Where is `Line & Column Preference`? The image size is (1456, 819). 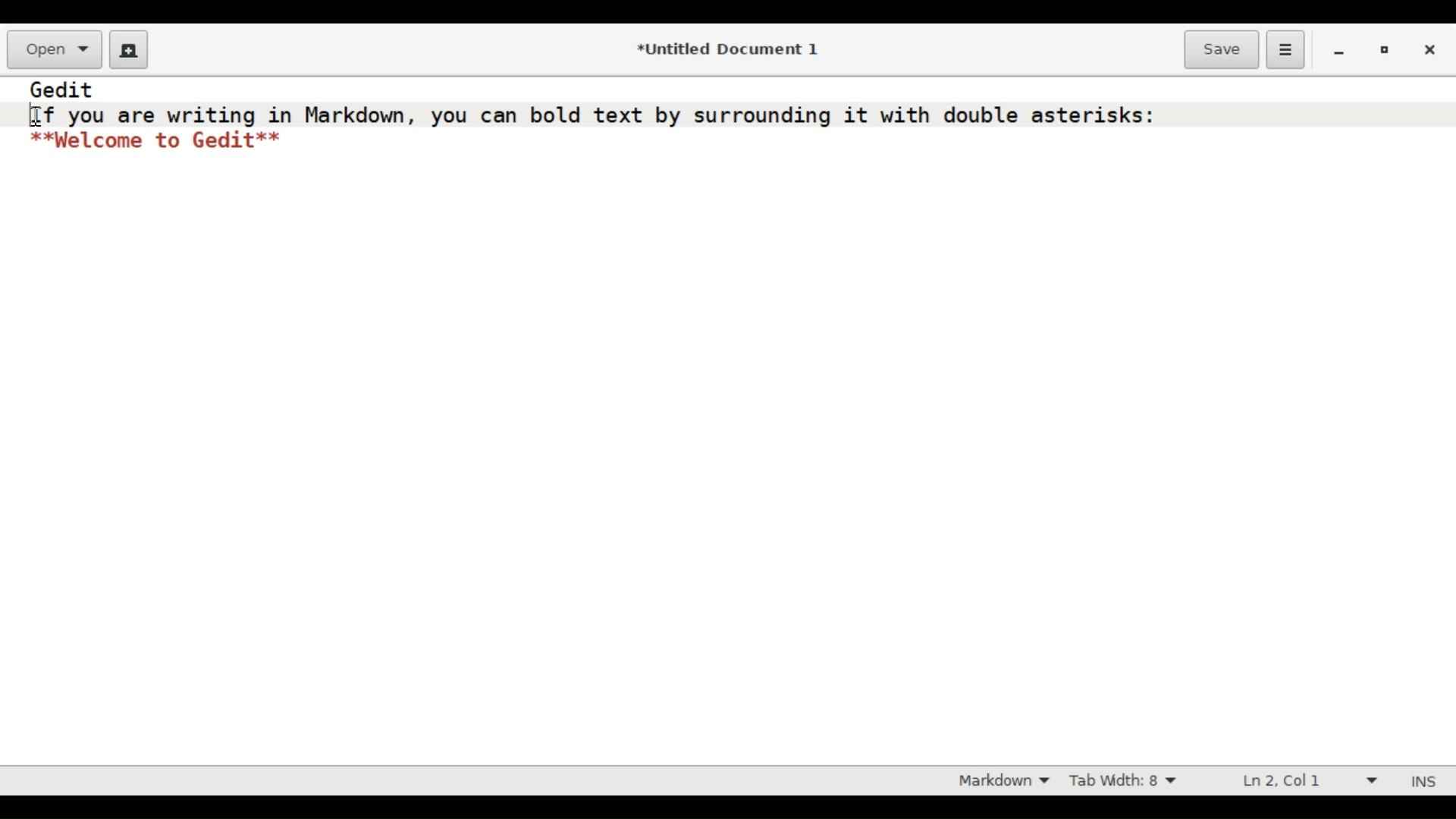
Line & Column Preference is located at coordinates (1304, 781).